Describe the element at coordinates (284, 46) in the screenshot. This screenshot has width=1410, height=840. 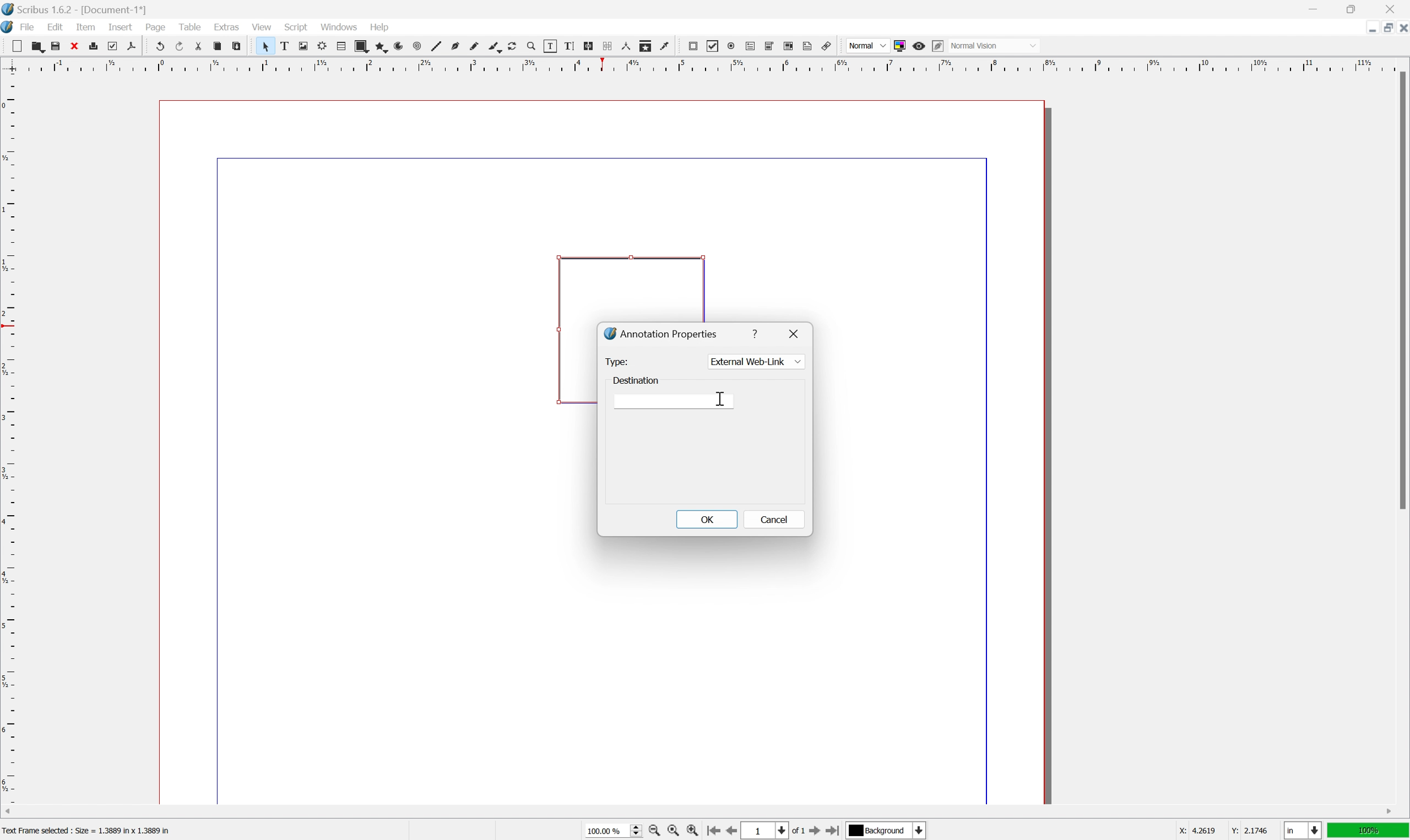
I see `text frame` at that location.